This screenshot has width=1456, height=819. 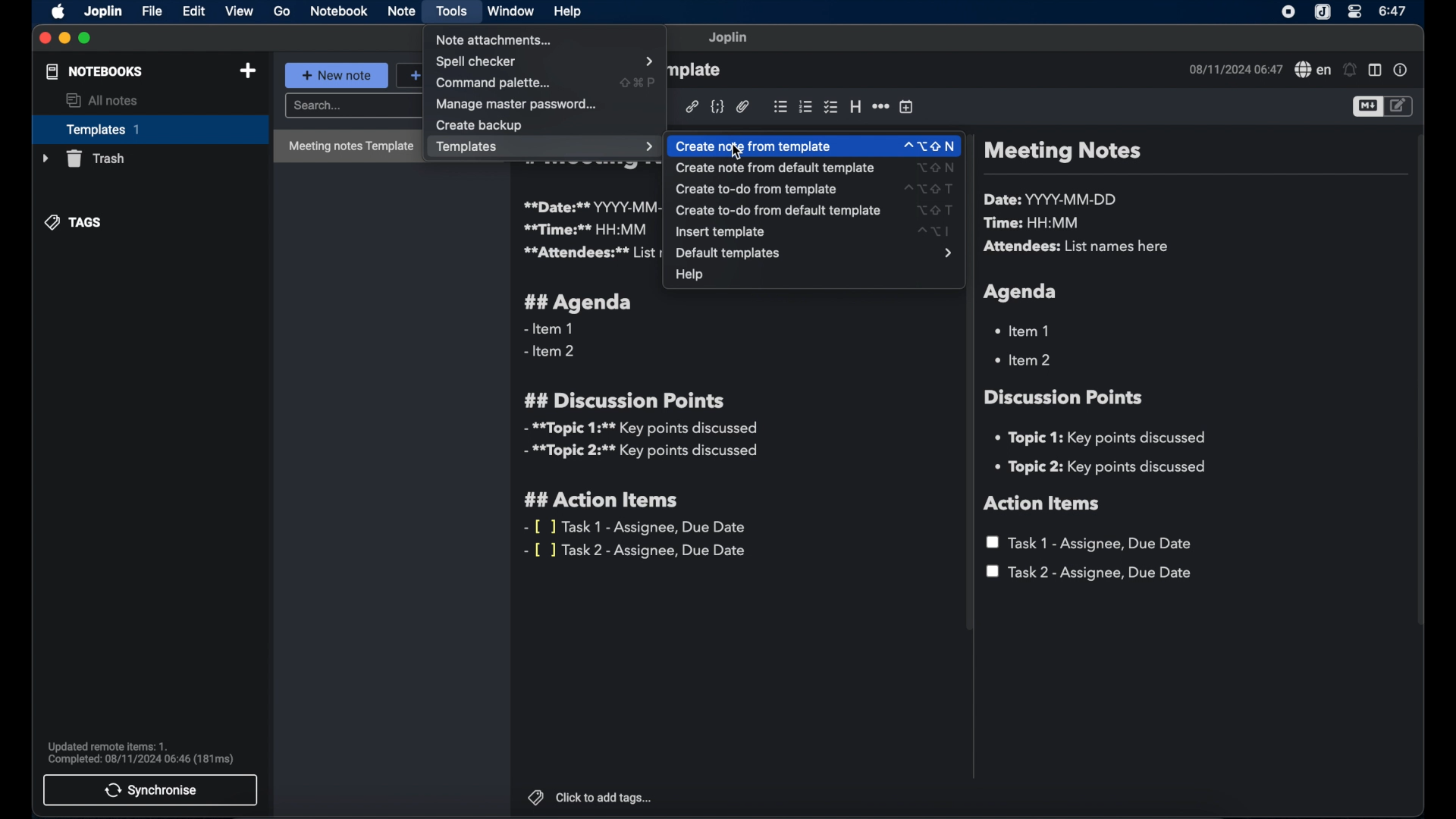 What do you see at coordinates (1025, 359) in the screenshot?
I see `item 2` at bounding box center [1025, 359].